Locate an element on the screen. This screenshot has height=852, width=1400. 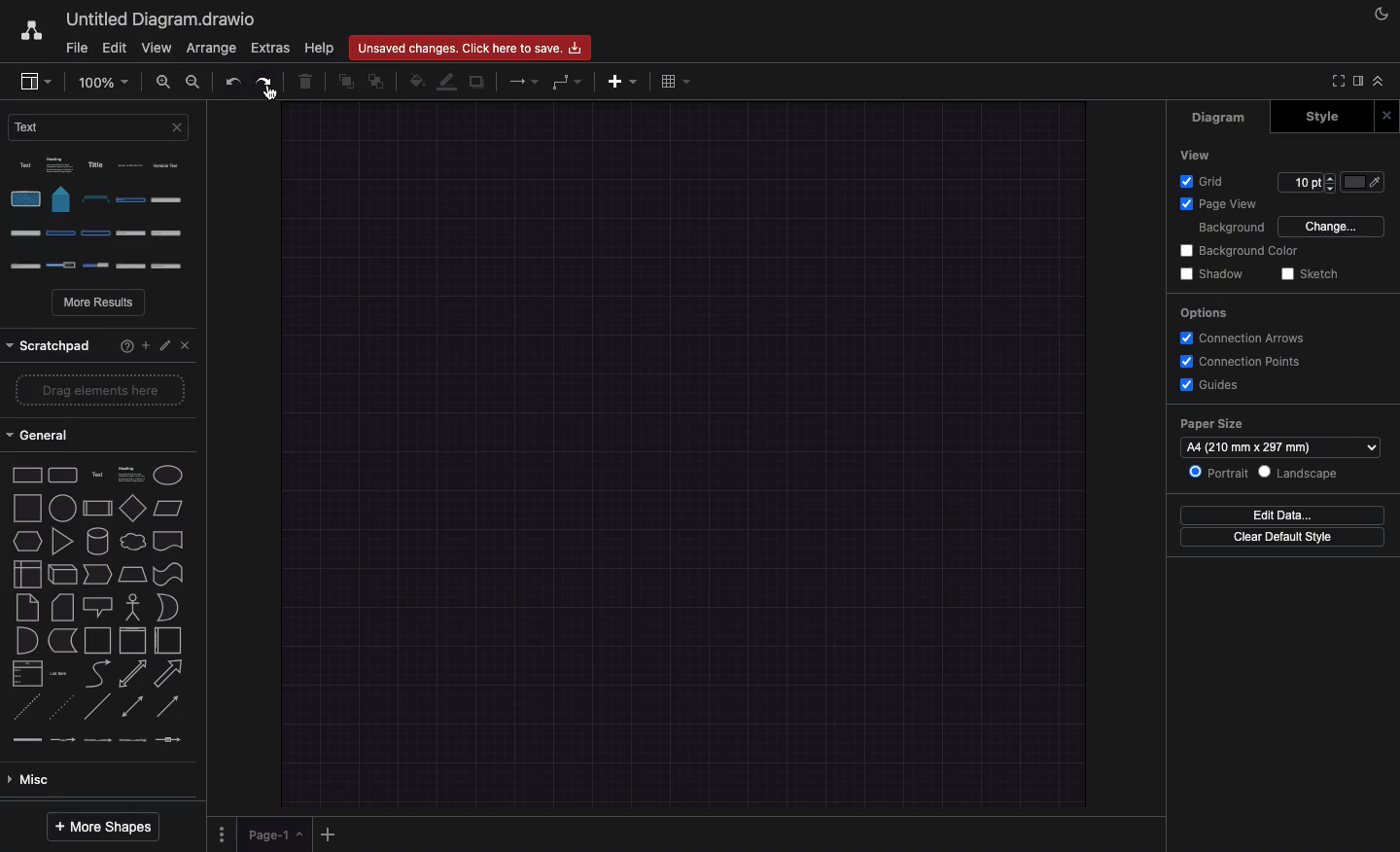
Shadow is located at coordinates (1215, 273).